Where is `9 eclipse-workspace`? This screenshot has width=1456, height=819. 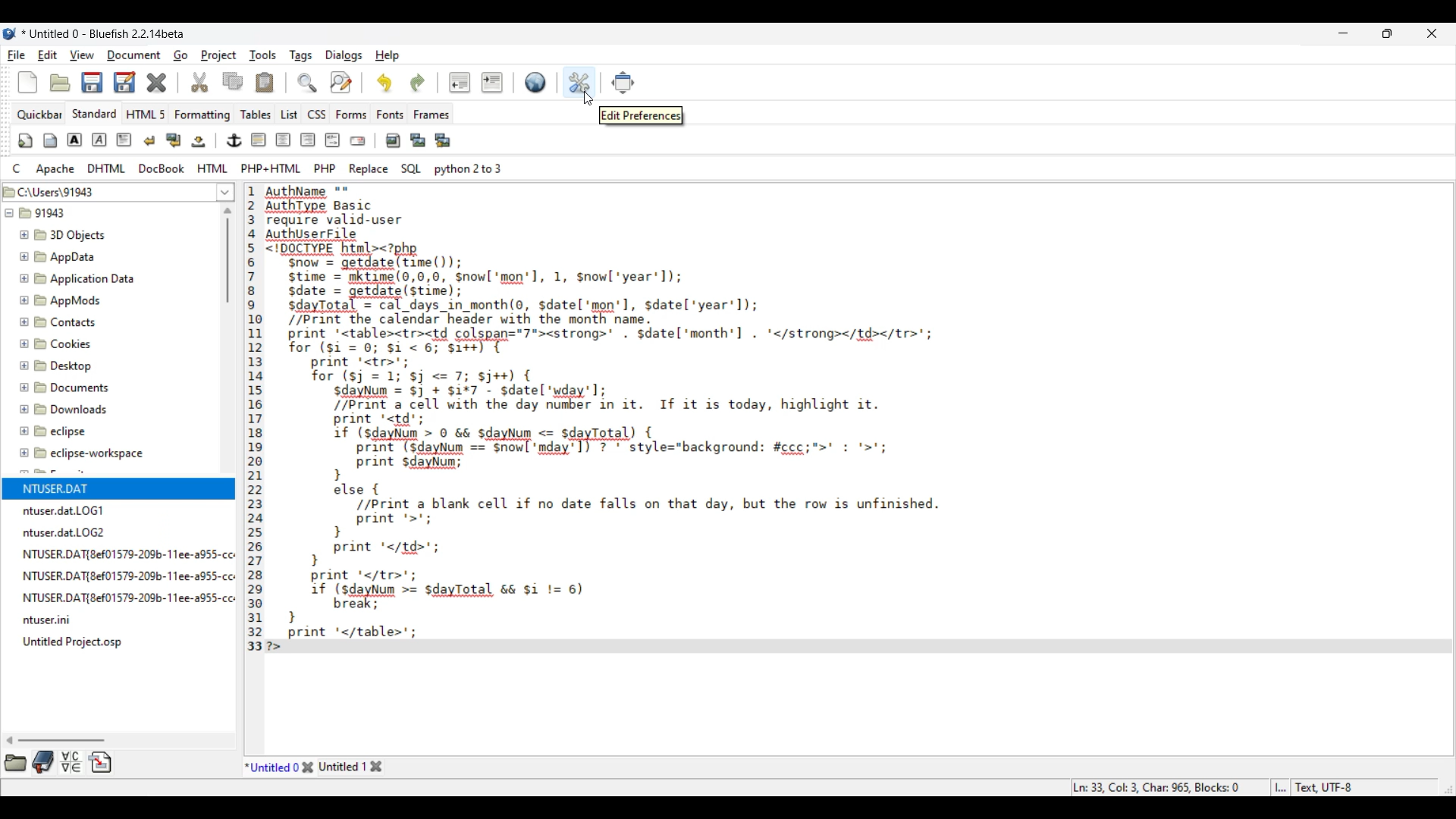
9 eclipse-workspace is located at coordinates (96, 454).